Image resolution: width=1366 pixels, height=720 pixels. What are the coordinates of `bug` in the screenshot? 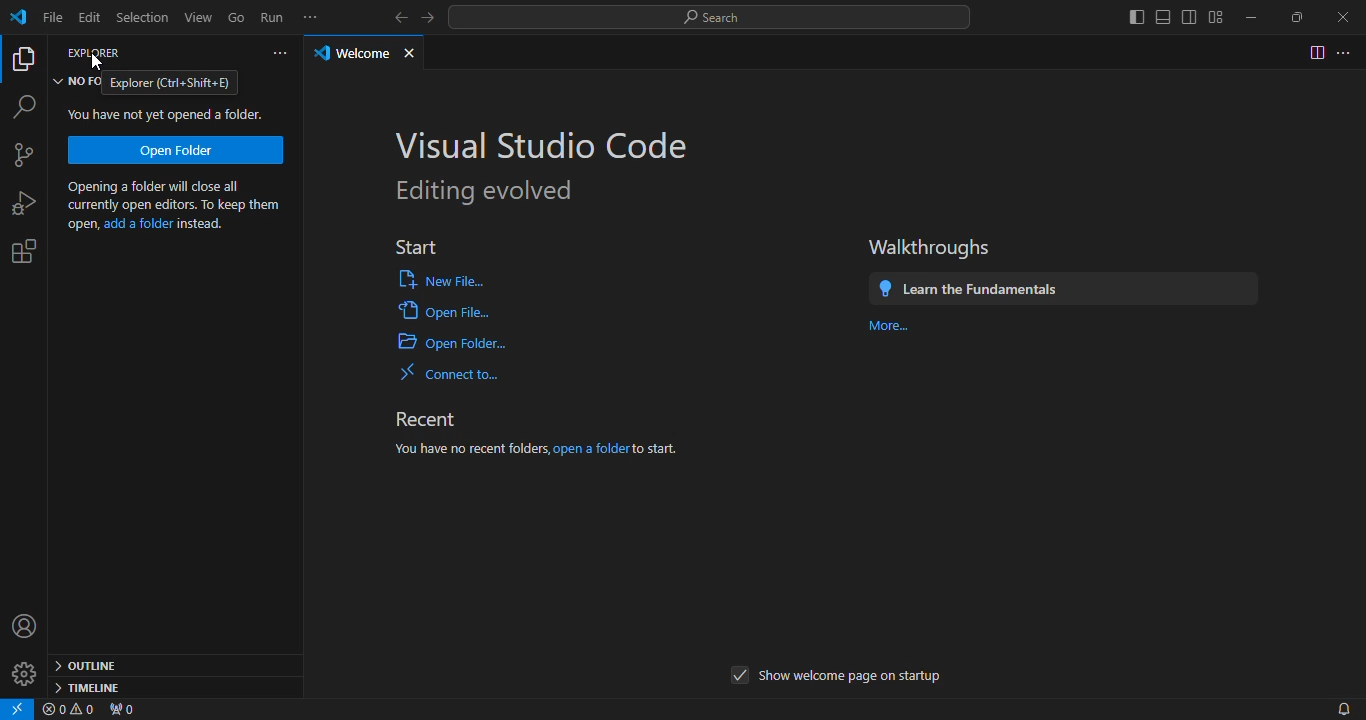 It's located at (21, 202).